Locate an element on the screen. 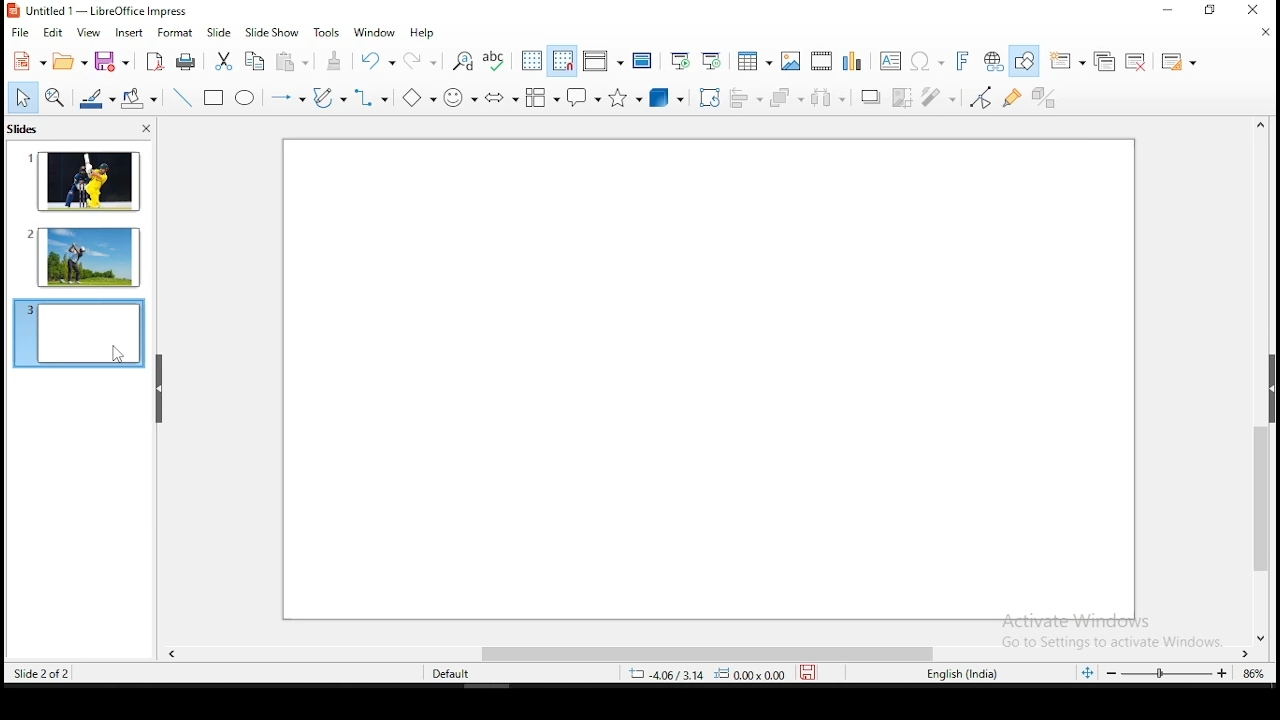 This screenshot has width=1280, height=720. duplicate slide is located at coordinates (1105, 62).